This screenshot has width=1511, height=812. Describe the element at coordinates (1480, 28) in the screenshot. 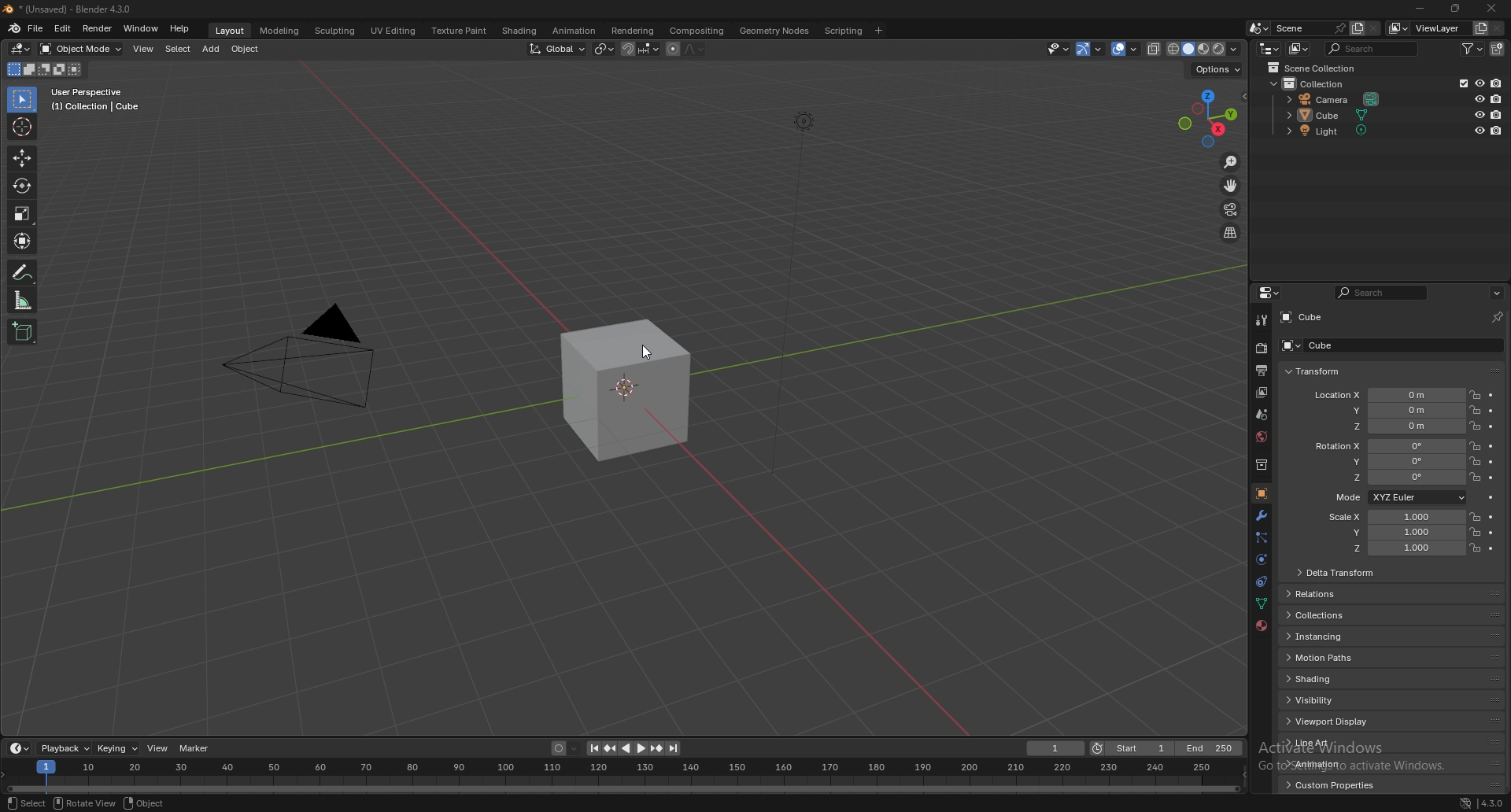

I see `add view layer` at that location.